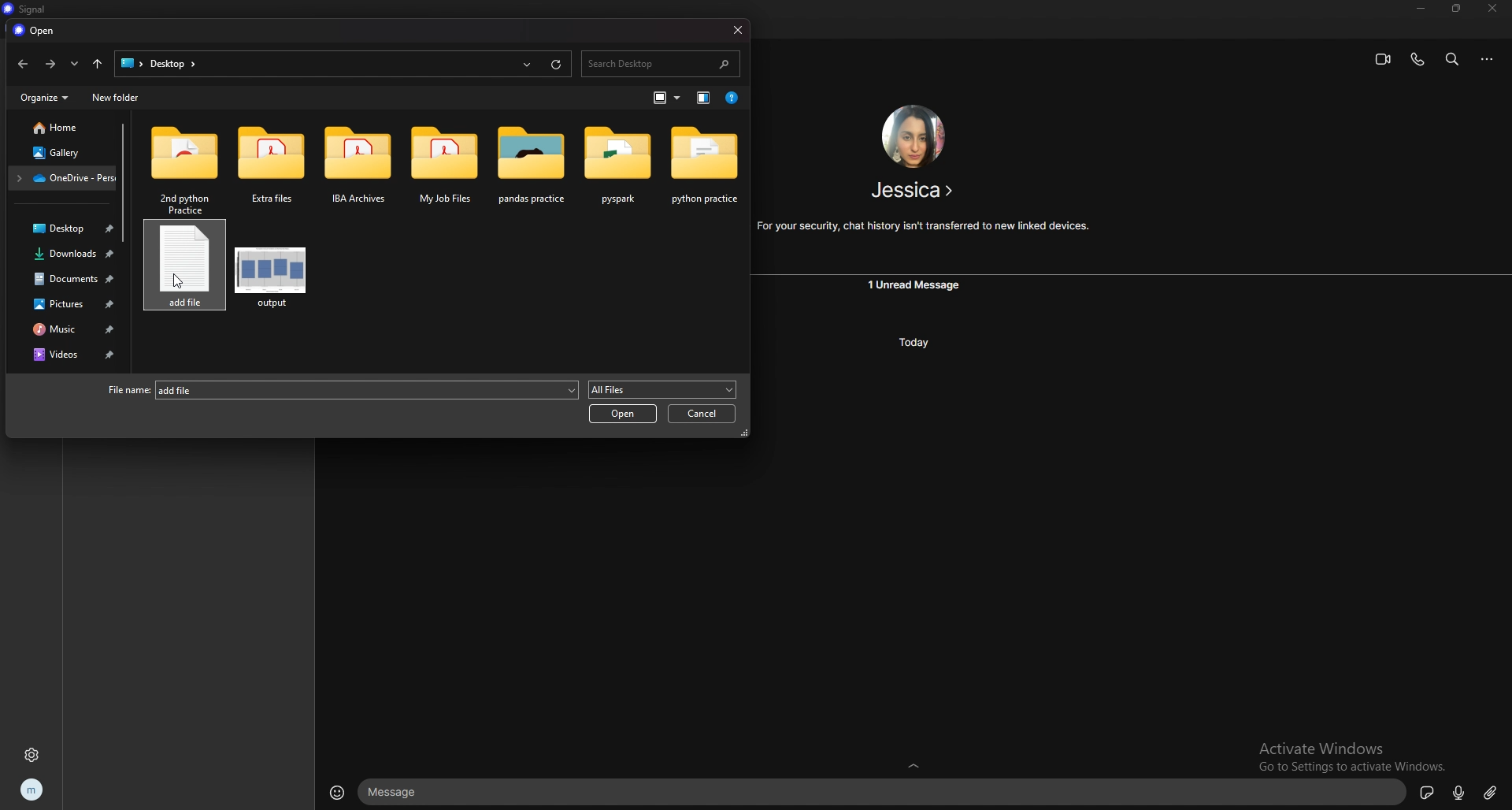 Image resolution: width=1512 pixels, height=810 pixels. I want to click on desktop, so click(64, 229).